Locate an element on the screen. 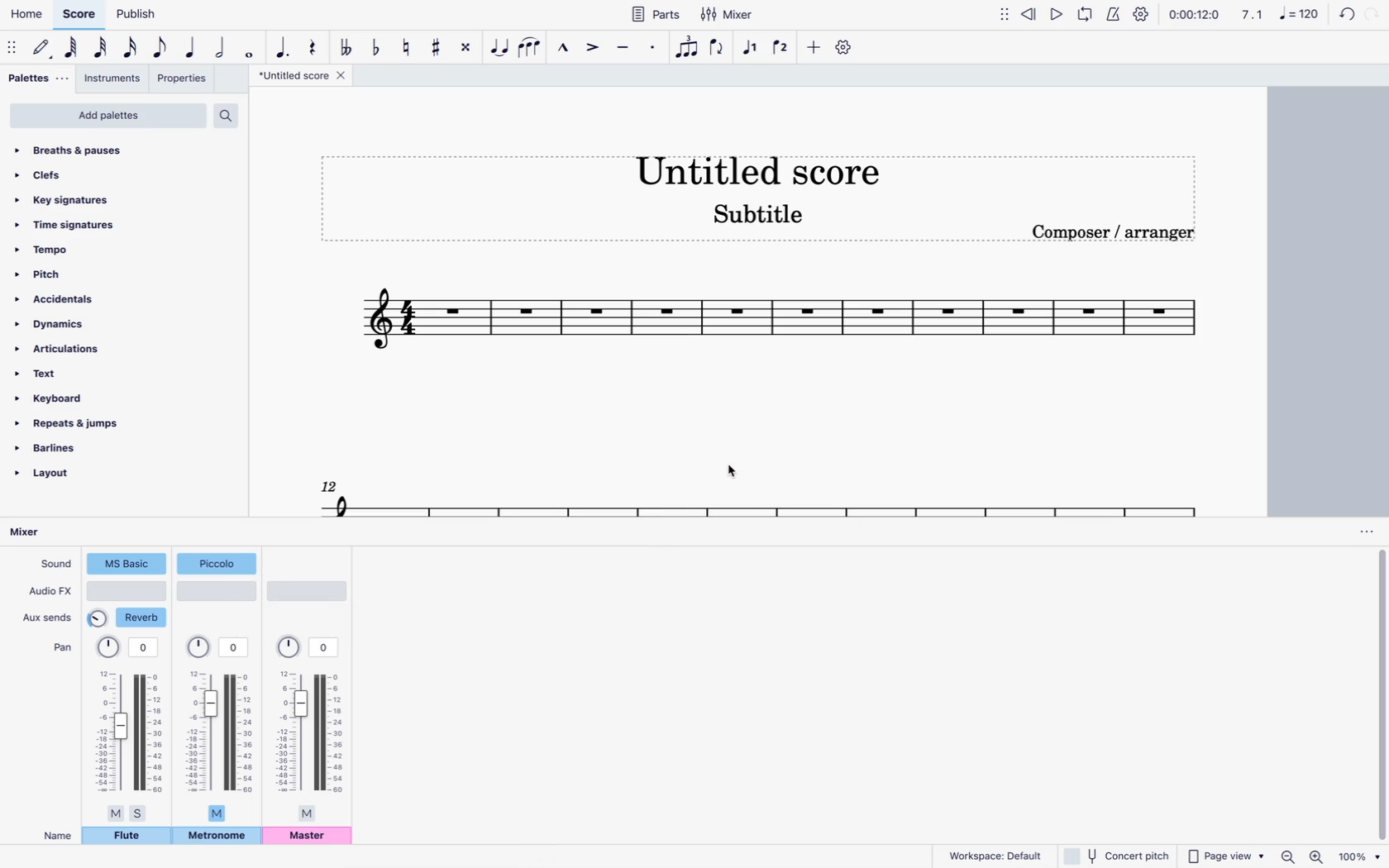 This screenshot has height=868, width=1389. palettes is located at coordinates (36, 79).